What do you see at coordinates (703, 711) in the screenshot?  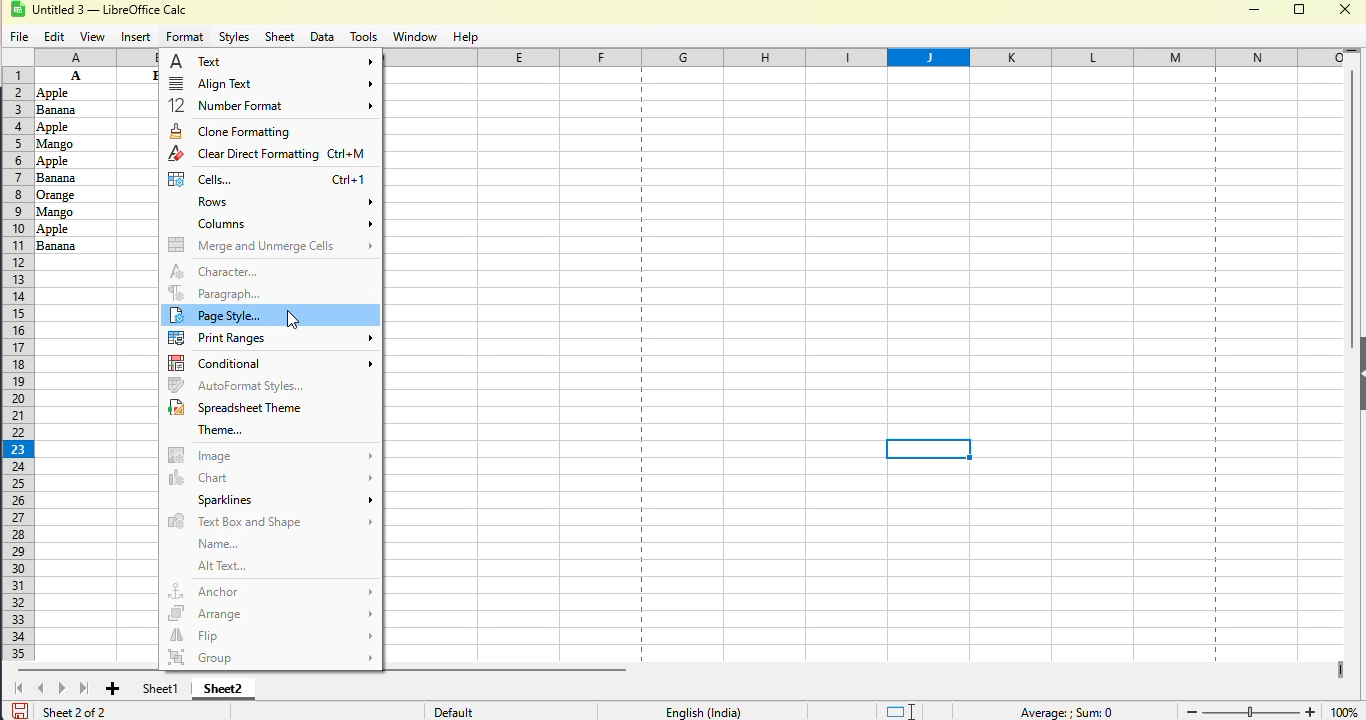 I see `English (India)` at bounding box center [703, 711].